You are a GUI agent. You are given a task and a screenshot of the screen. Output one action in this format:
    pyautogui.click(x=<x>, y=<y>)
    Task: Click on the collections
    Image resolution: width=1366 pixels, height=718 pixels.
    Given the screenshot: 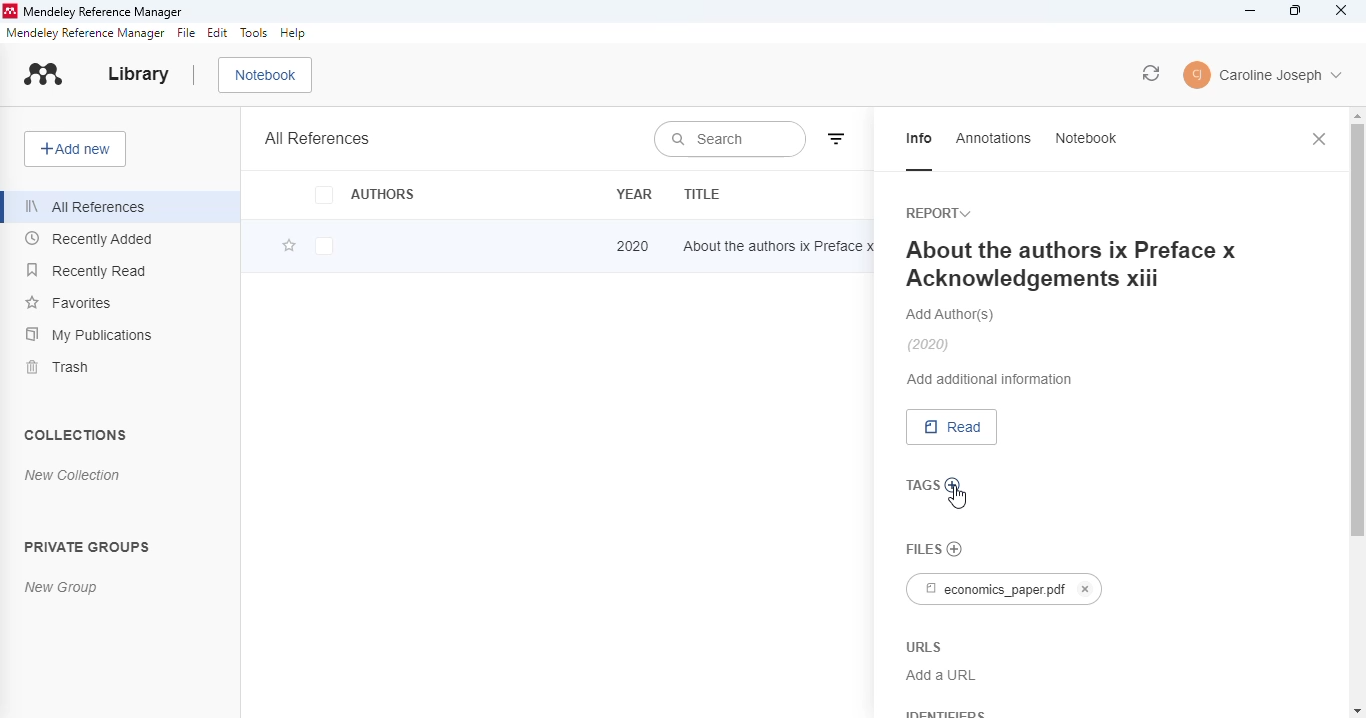 What is the action you would take?
    pyautogui.click(x=74, y=434)
    